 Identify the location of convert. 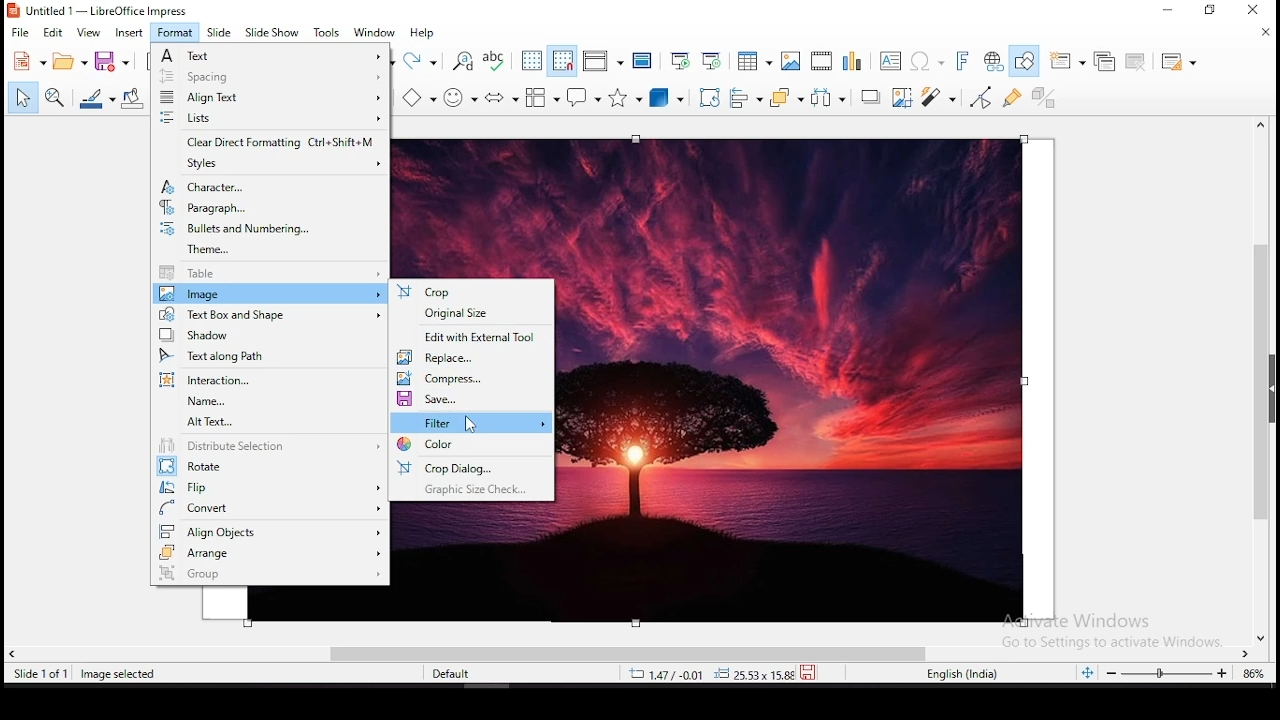
(272, 508).